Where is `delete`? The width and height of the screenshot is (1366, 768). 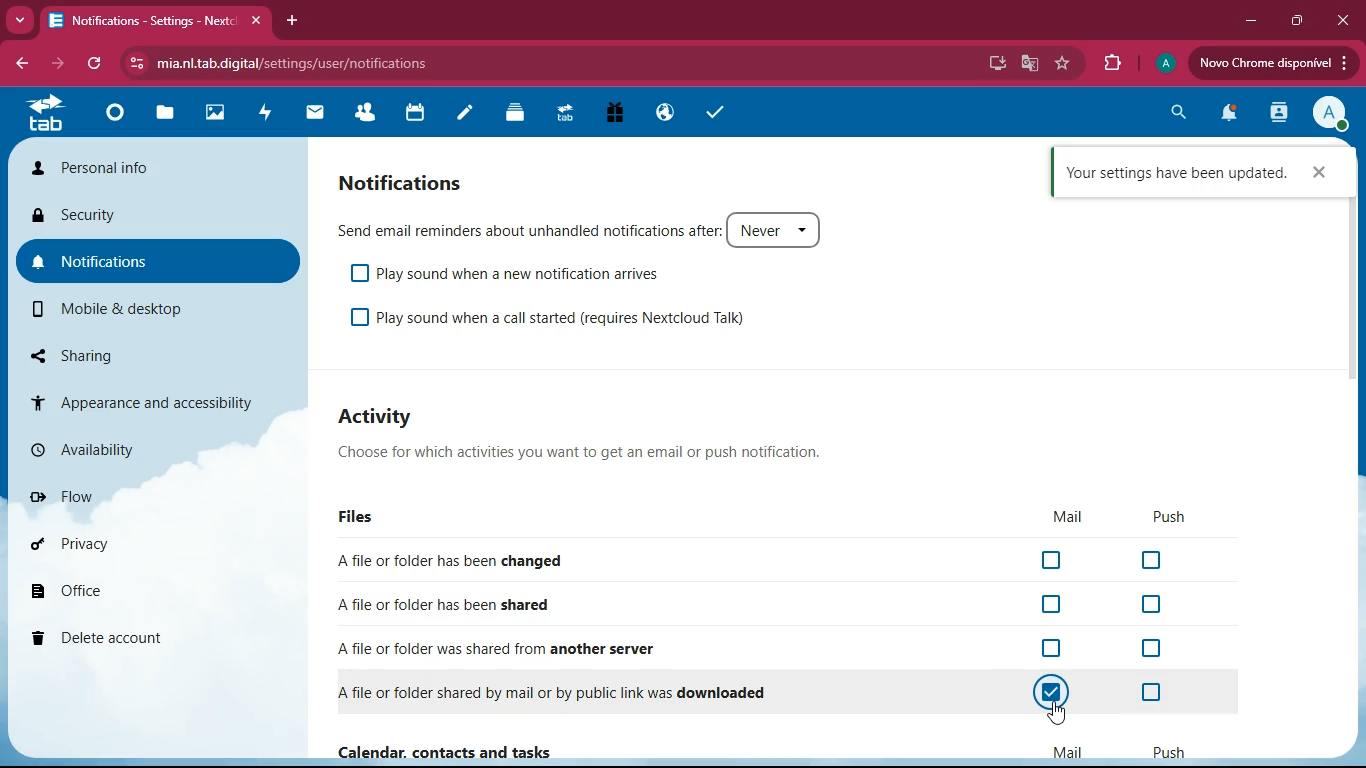
delete is located at coordinates (122, 639).